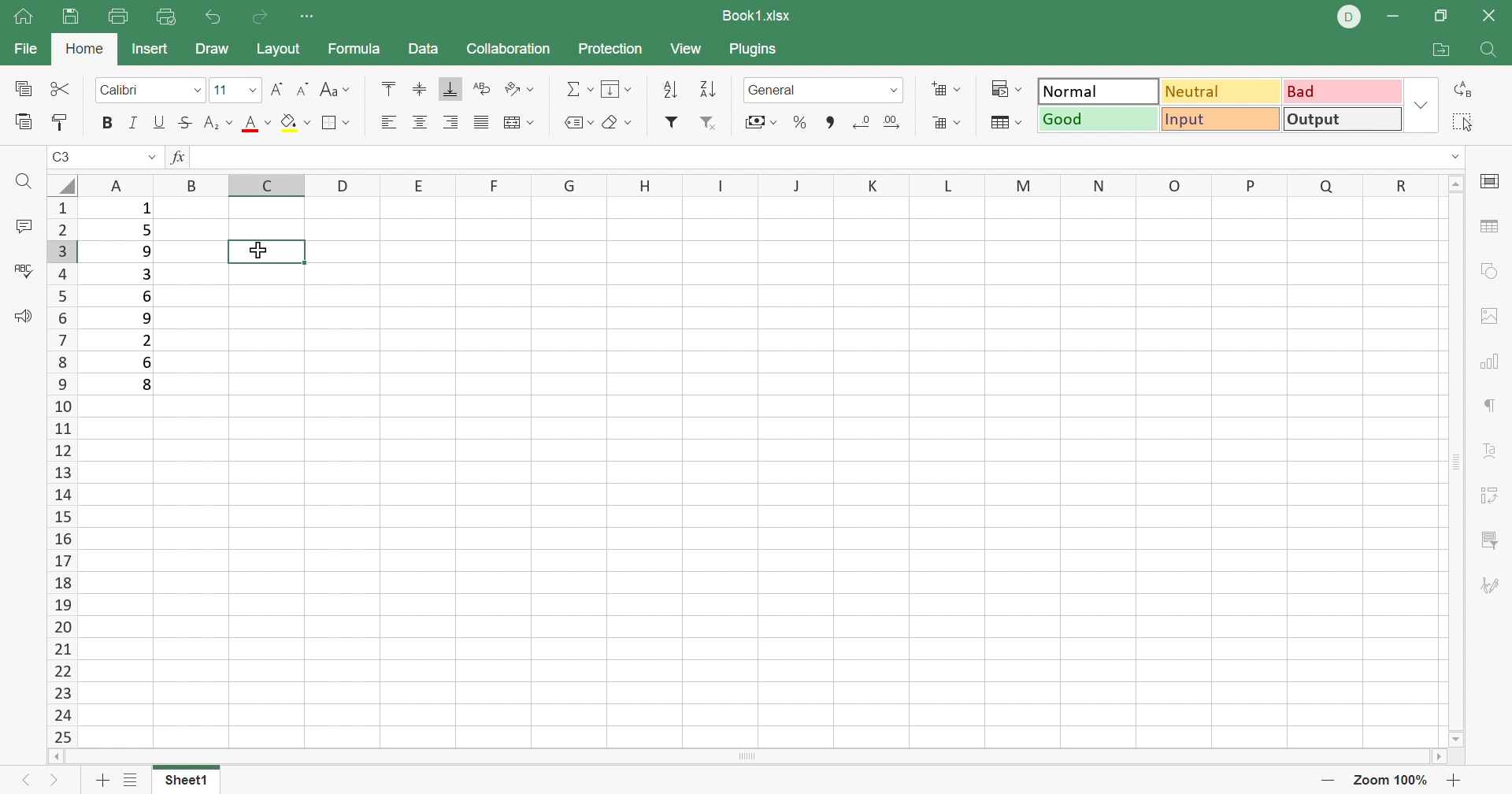  What do you see at coordinates (1350, 20) in the screenshot?
I see `DELL` at bounding box center [1350, 20].